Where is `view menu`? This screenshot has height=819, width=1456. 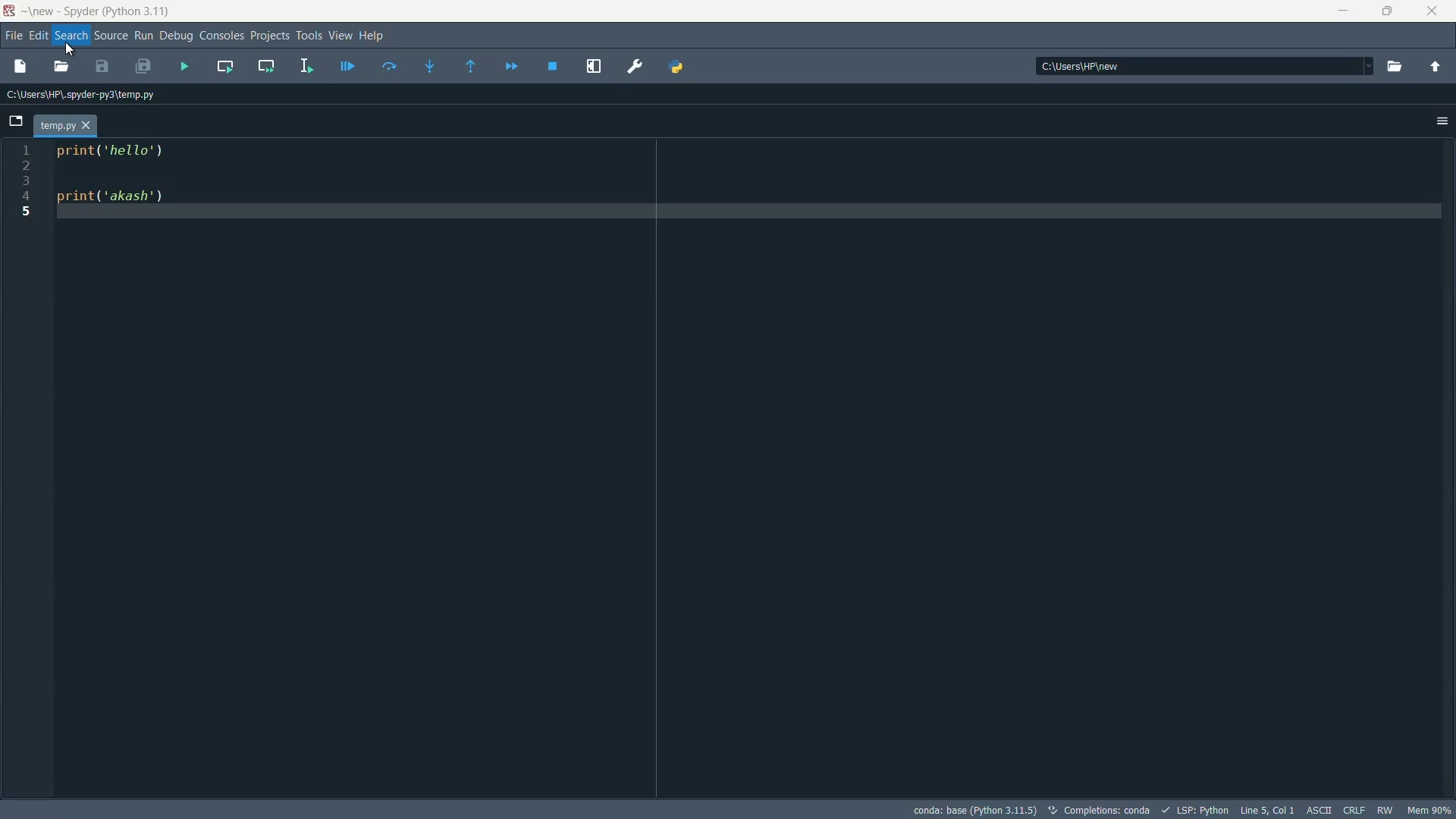 view menu is located at coordinates (340, 36).